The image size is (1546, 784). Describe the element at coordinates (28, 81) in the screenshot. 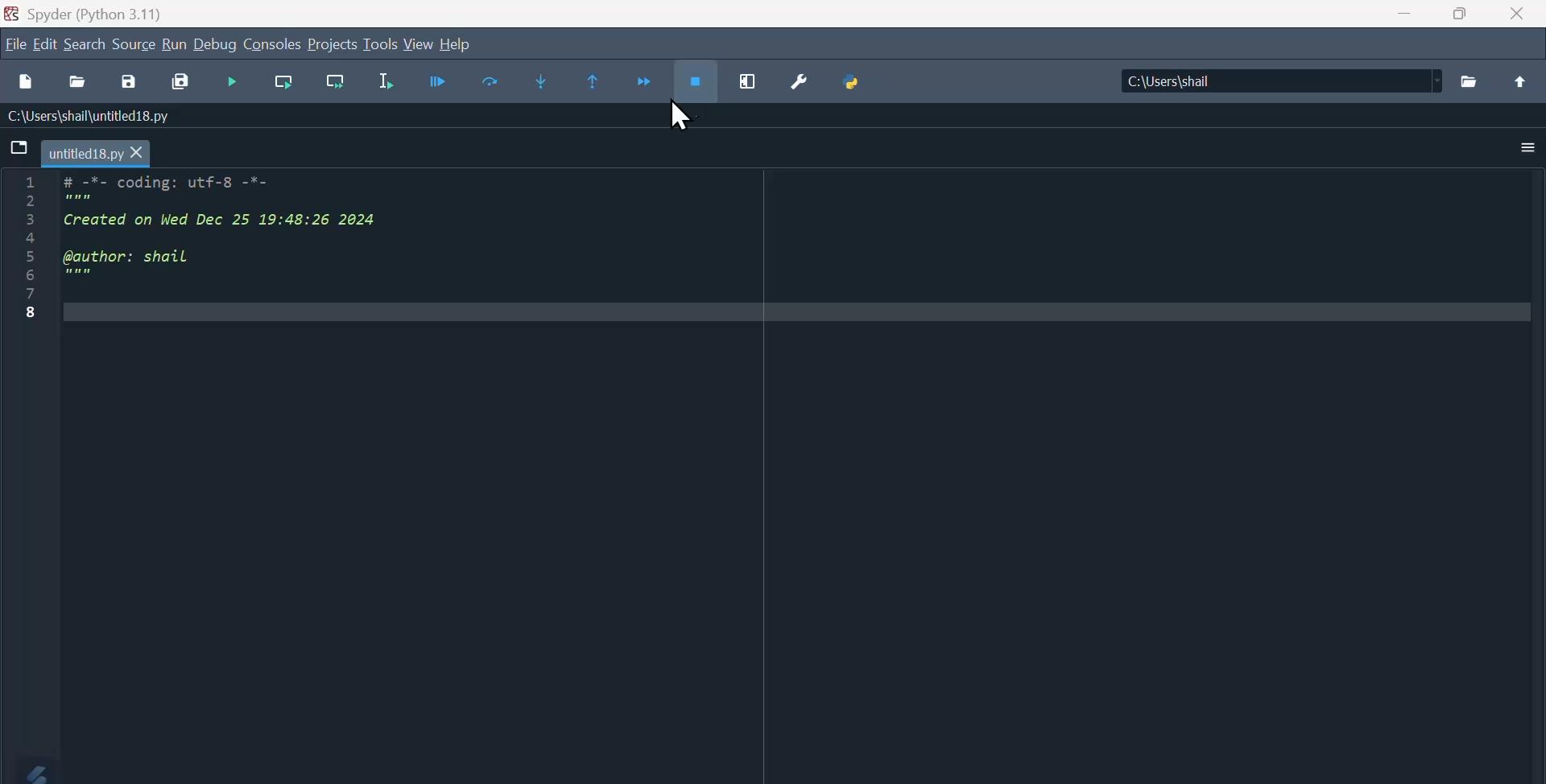

I see `new` at that location.